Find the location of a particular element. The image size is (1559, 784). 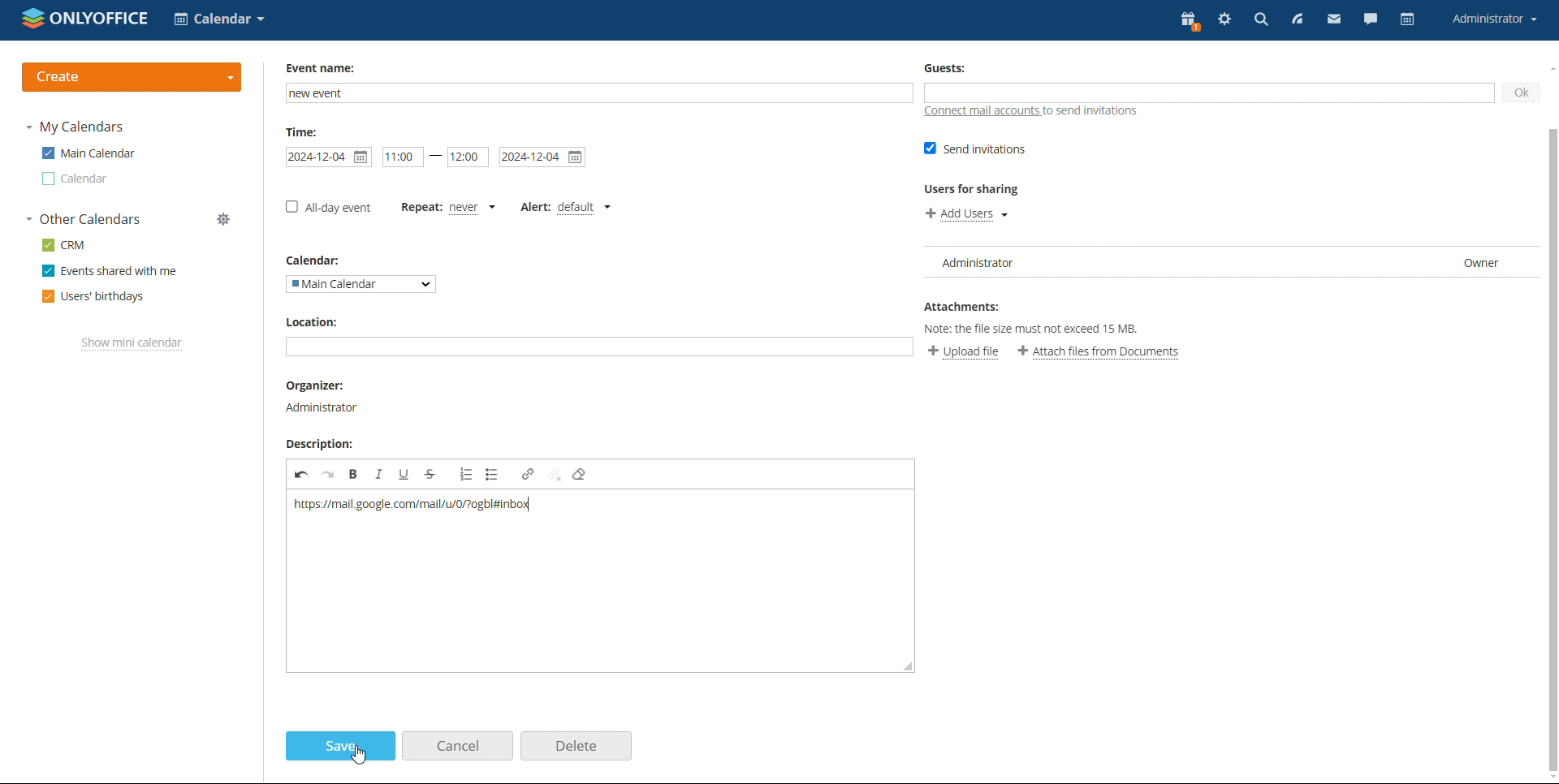

connect mail accounts is located at coordinates (979, 113).